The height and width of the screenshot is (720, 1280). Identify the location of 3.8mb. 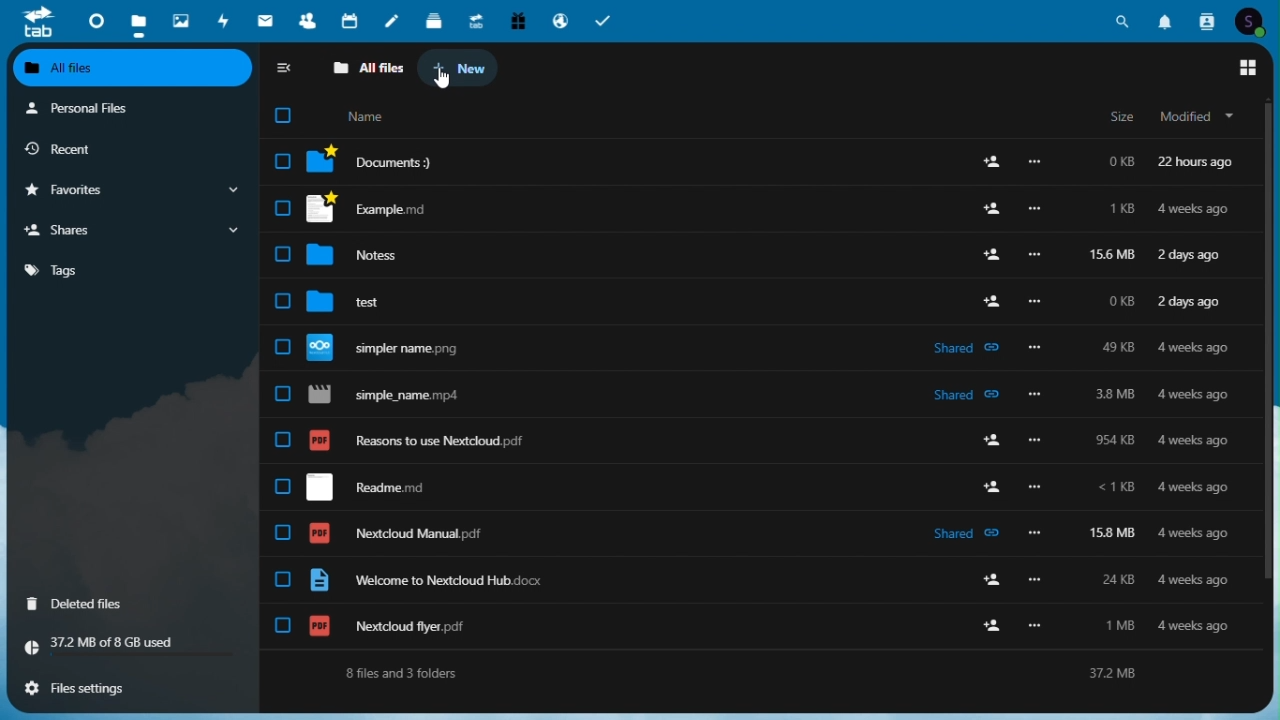
(1115, 397).